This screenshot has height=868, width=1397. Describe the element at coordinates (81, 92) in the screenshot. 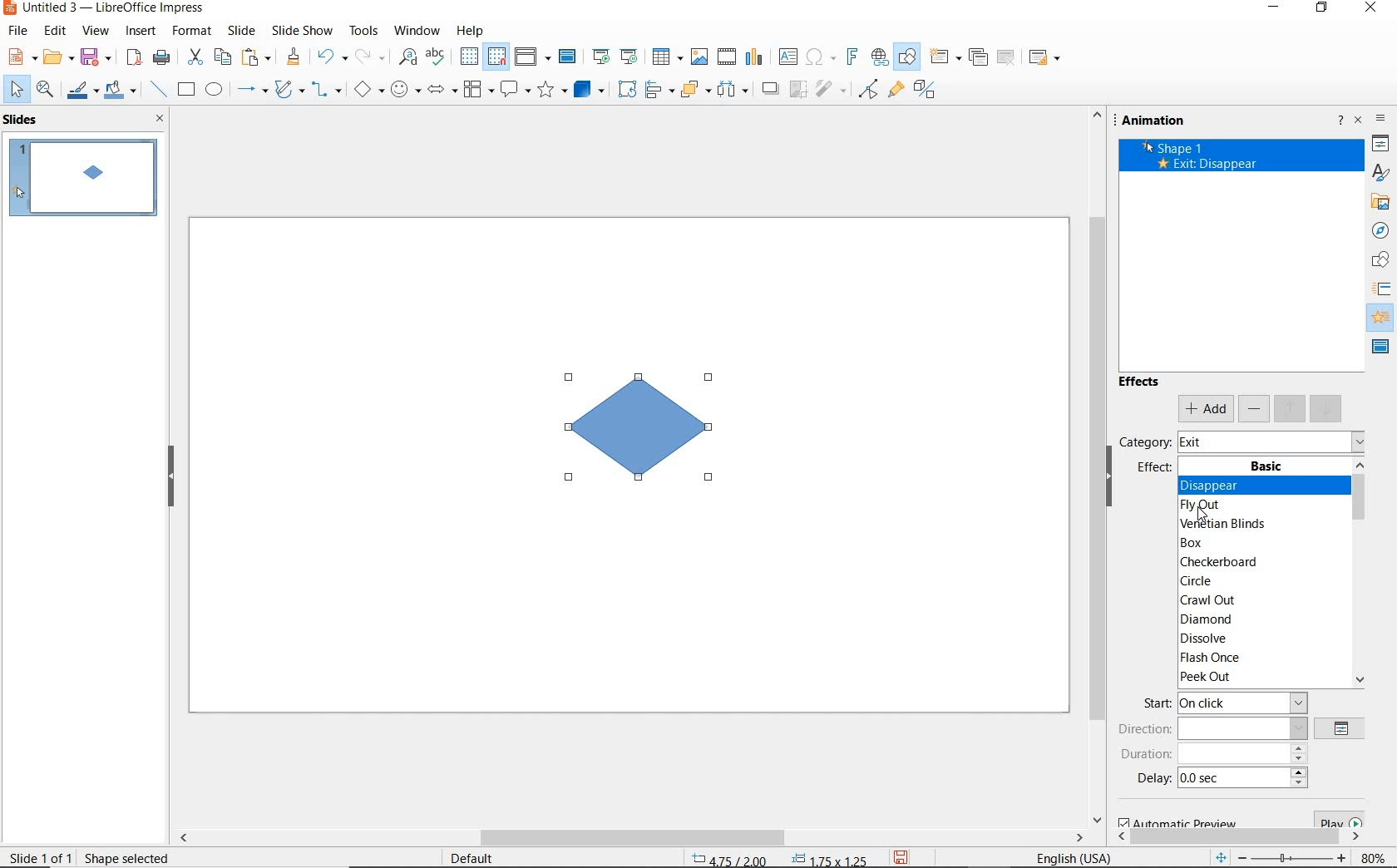

I see `line color` at that location.